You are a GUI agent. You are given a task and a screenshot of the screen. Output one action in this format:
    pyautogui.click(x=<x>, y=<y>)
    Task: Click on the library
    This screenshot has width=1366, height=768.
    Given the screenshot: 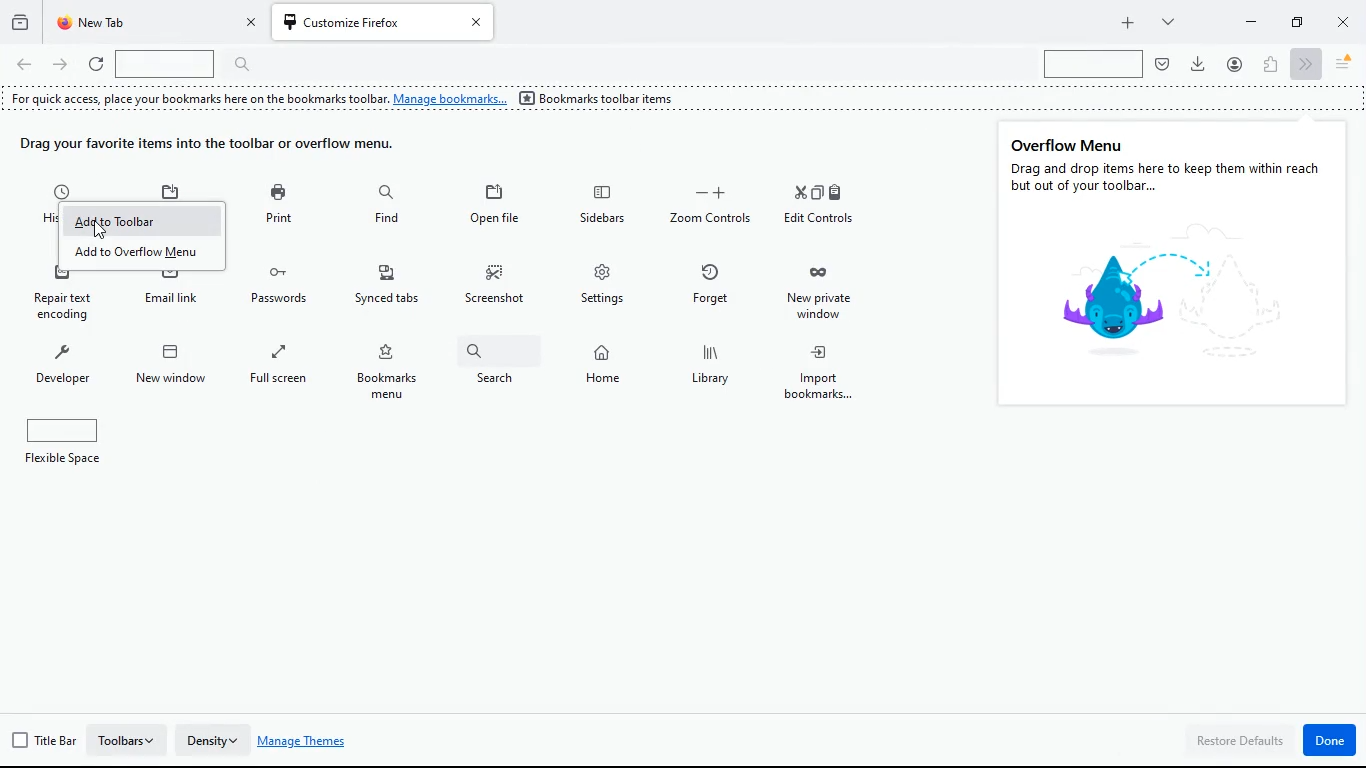 What is the action you would take?
    pyautogui.click(x=718, y=370)
    